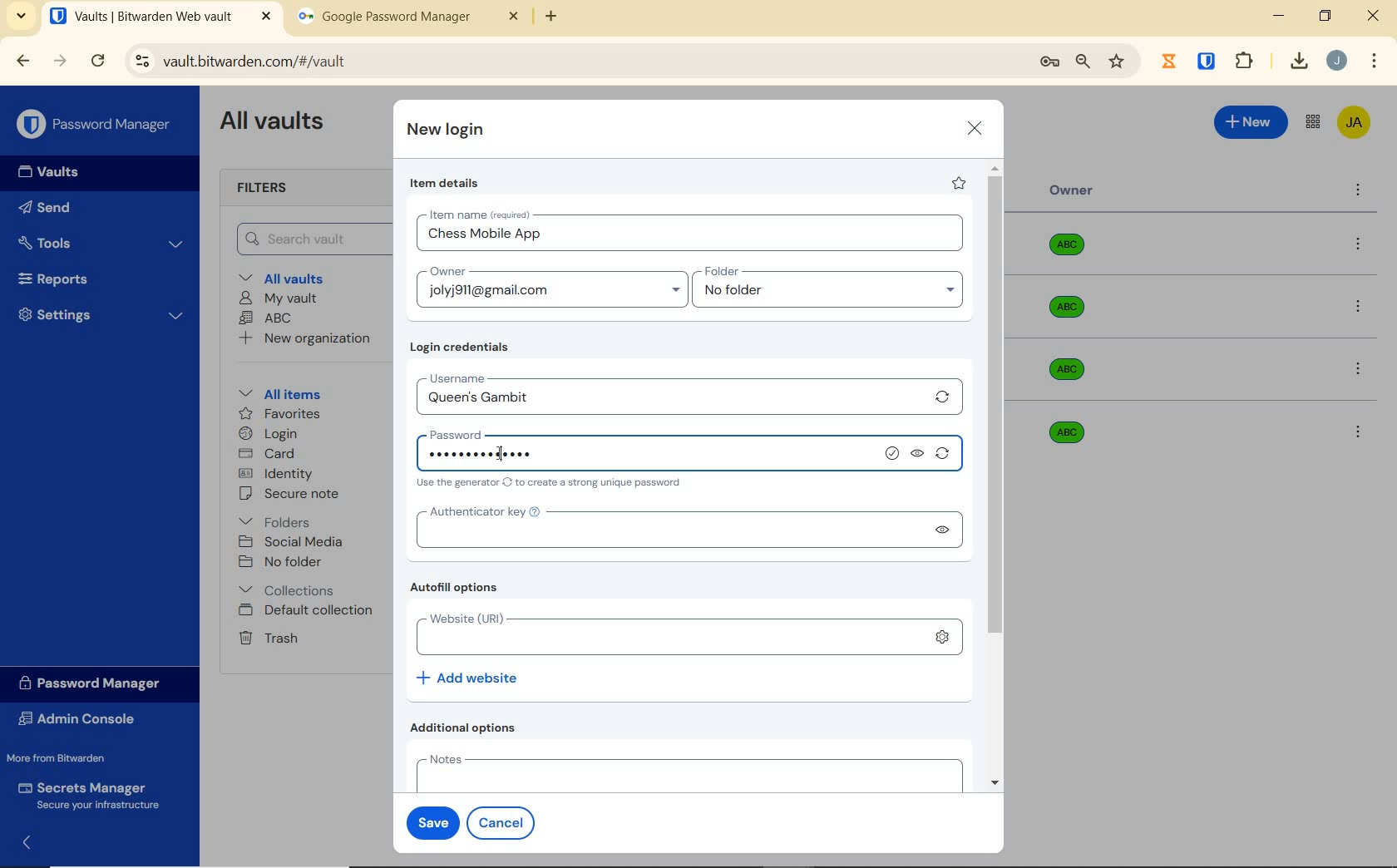 This screenshot has height=868, width=1397. Describe the element at coordinates (1361, 245) in the screenshot. I see `option` at that location.